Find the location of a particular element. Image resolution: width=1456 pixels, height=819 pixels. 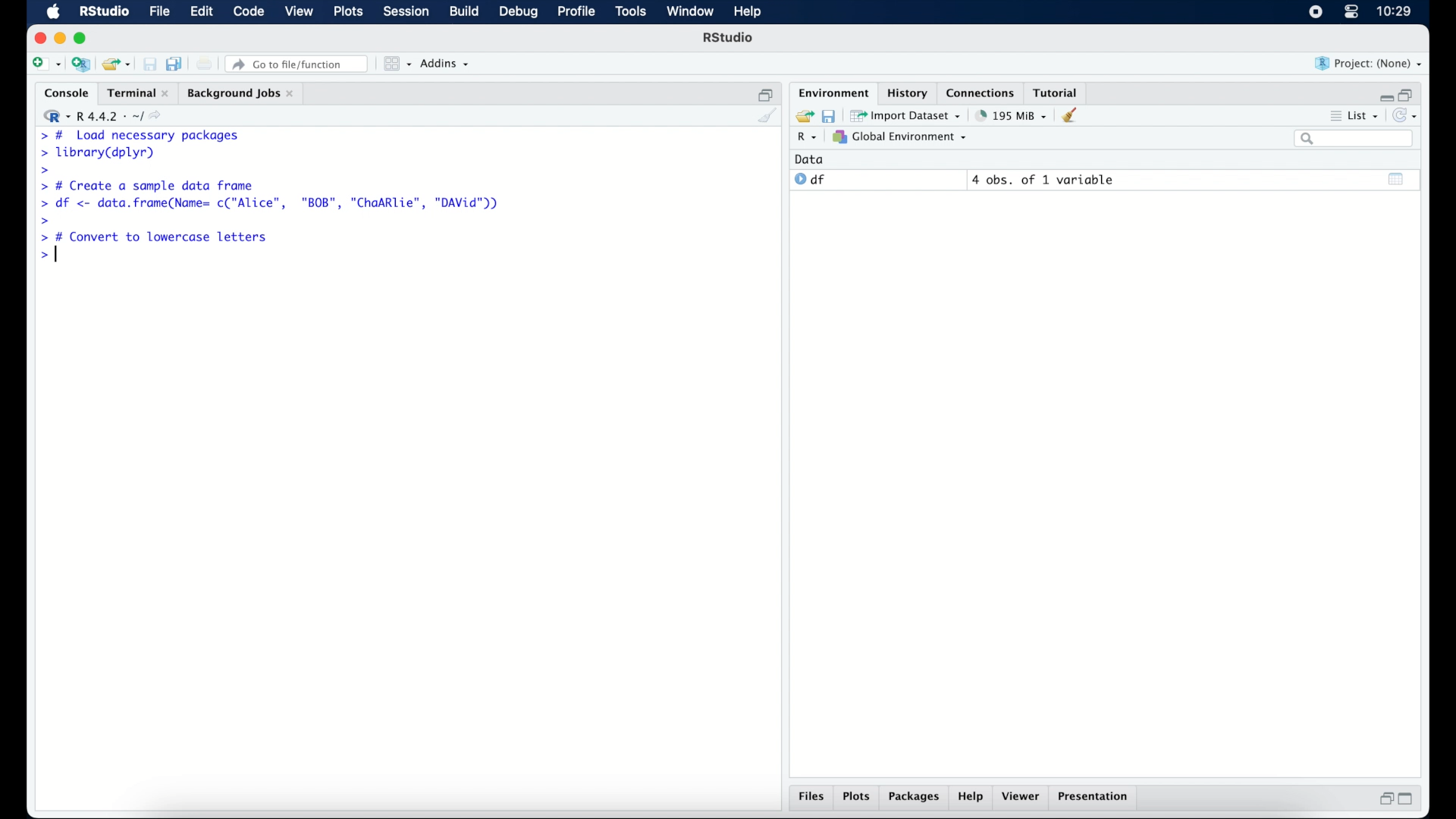

minimize is located at coordinates (1384, 94).